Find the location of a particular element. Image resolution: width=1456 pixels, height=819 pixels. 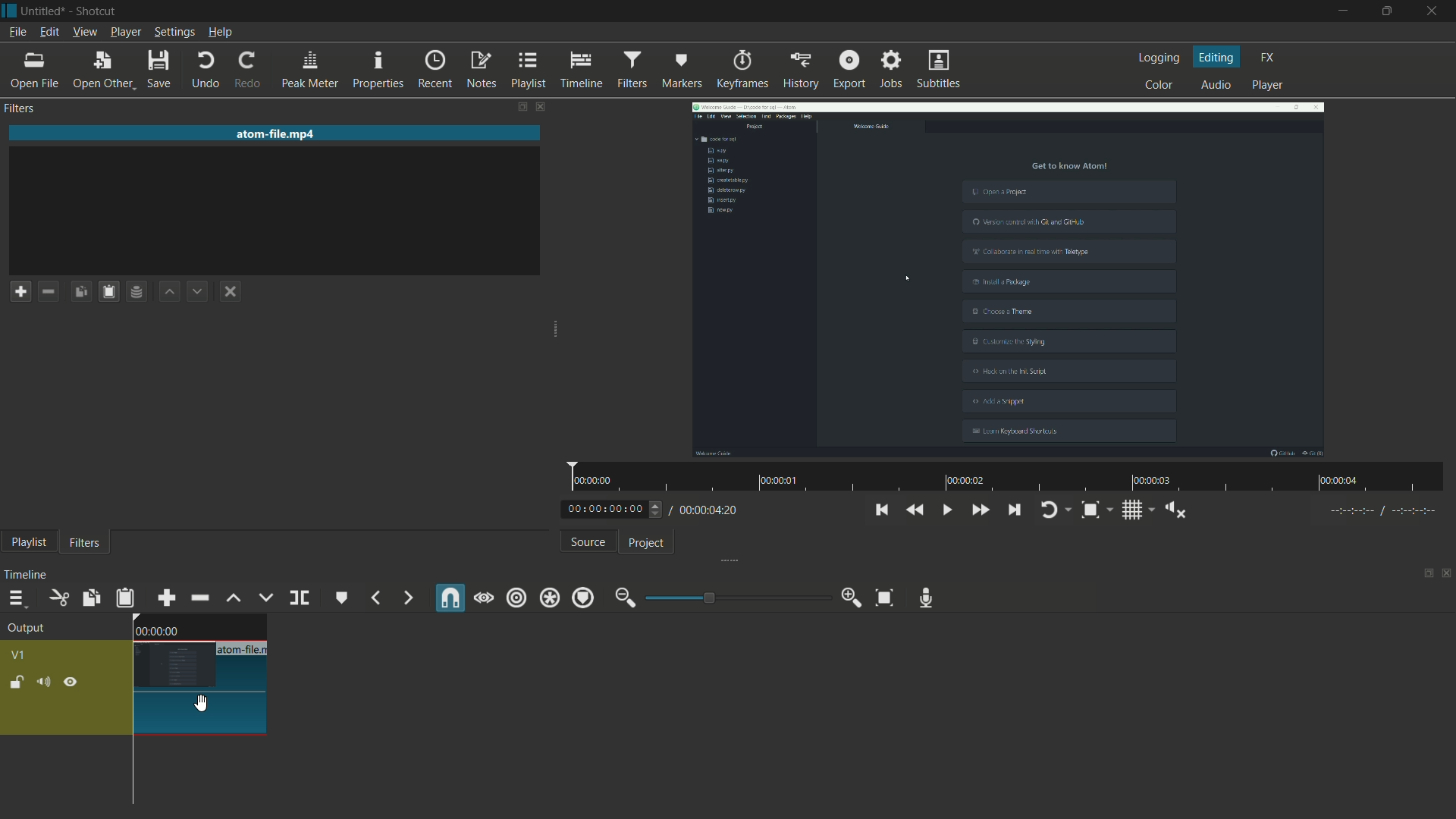

settings menu is located at coordinates (174, 32).